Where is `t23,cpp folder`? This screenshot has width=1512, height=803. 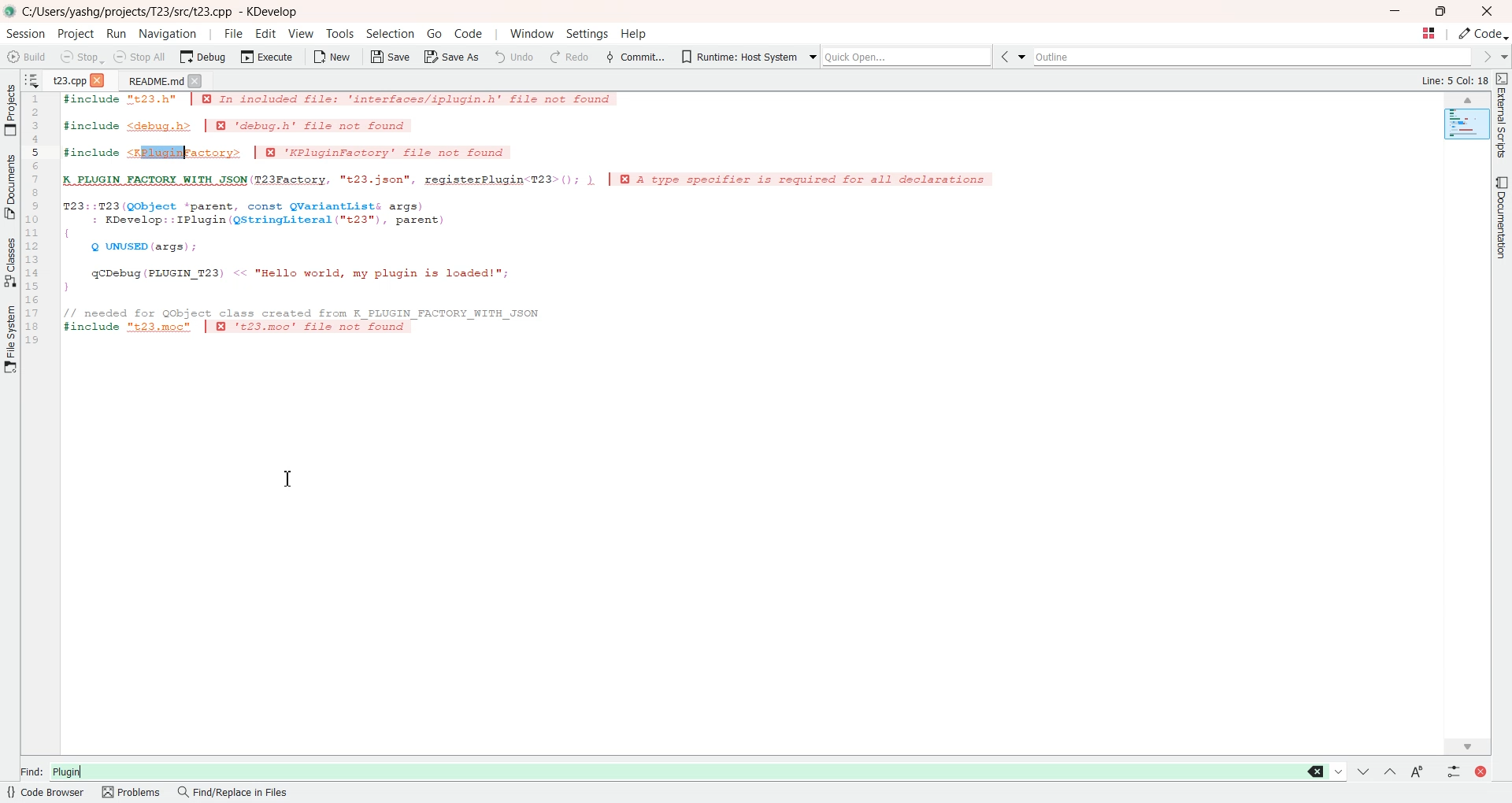 t23,cpp folder is located at coordinates (69, 79).